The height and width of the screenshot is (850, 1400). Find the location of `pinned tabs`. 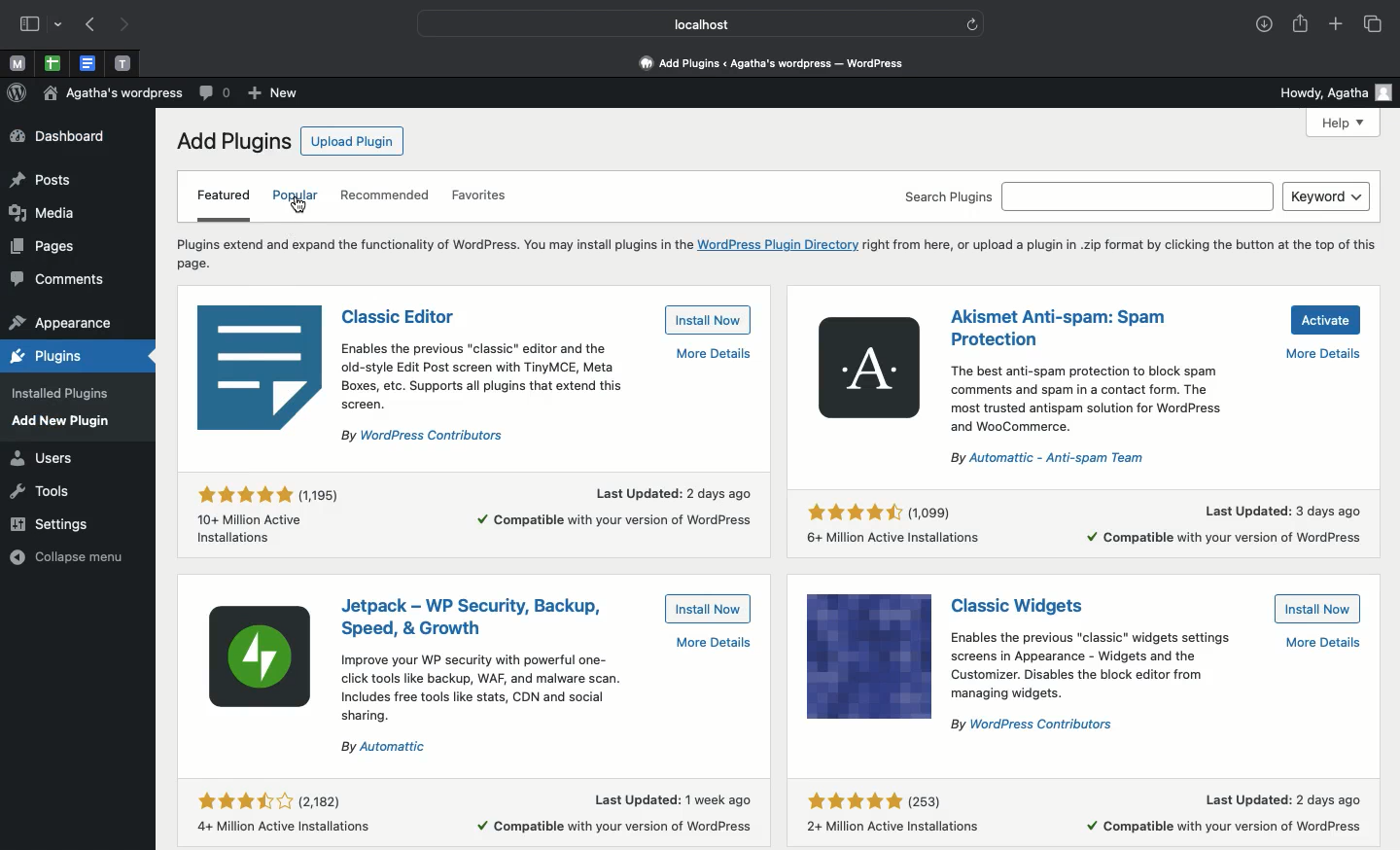

pinned tabs is located at coordinates (53, 63).